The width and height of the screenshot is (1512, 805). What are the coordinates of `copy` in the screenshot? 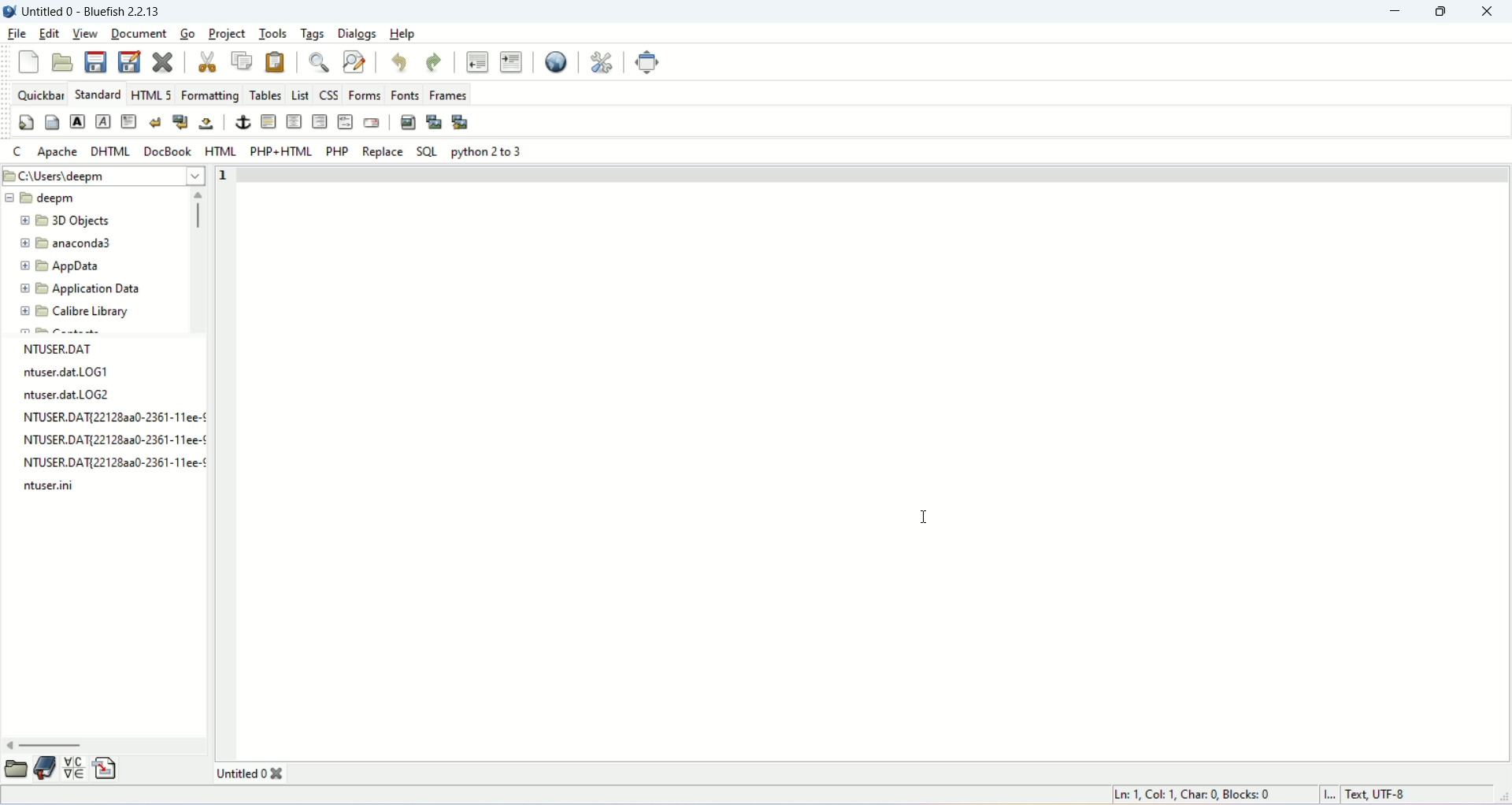 It's located at (242, 59).